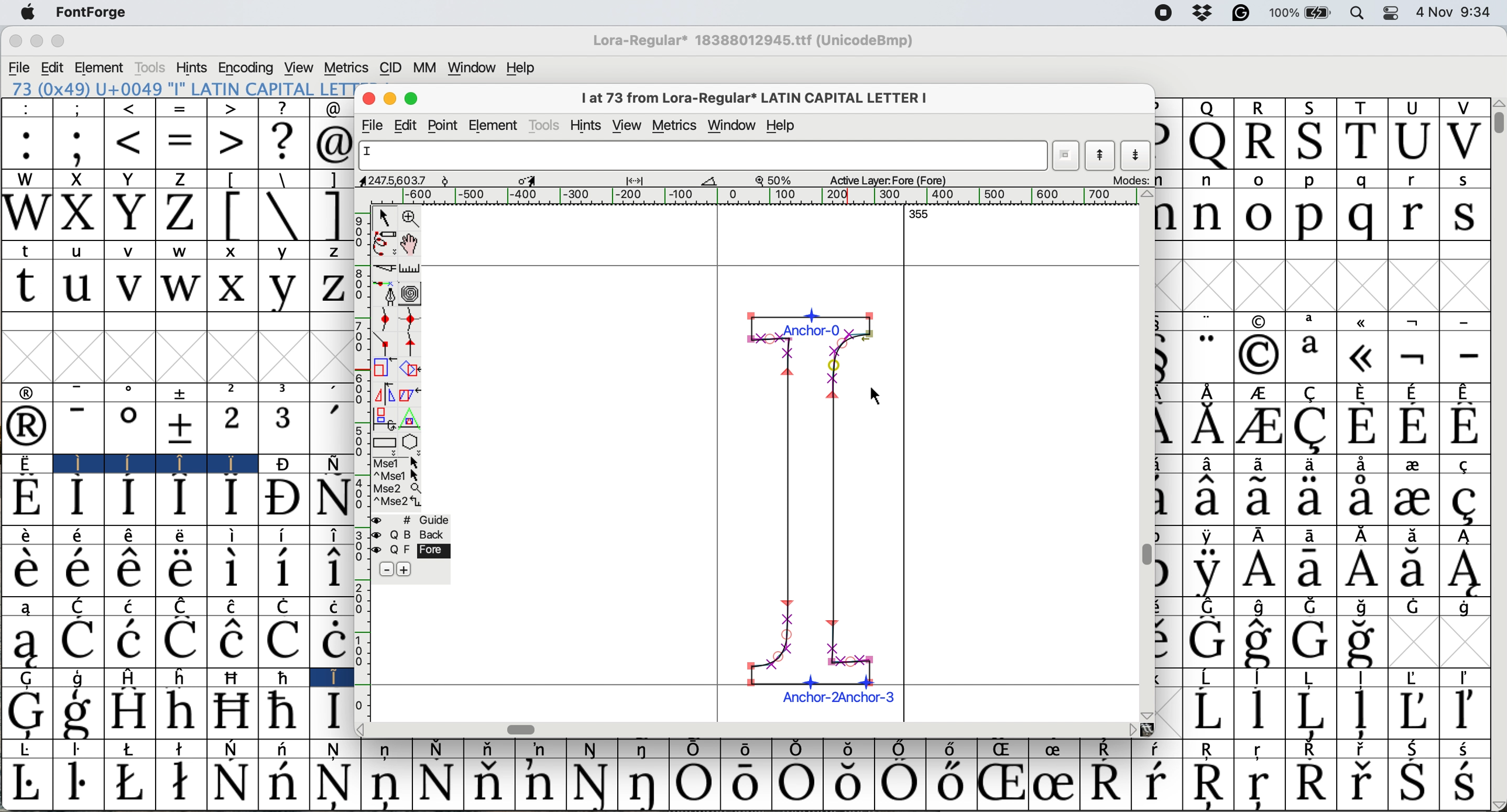  Describe the element at coordinates (1360, 180) in the screenshot. I see `q` at that location.